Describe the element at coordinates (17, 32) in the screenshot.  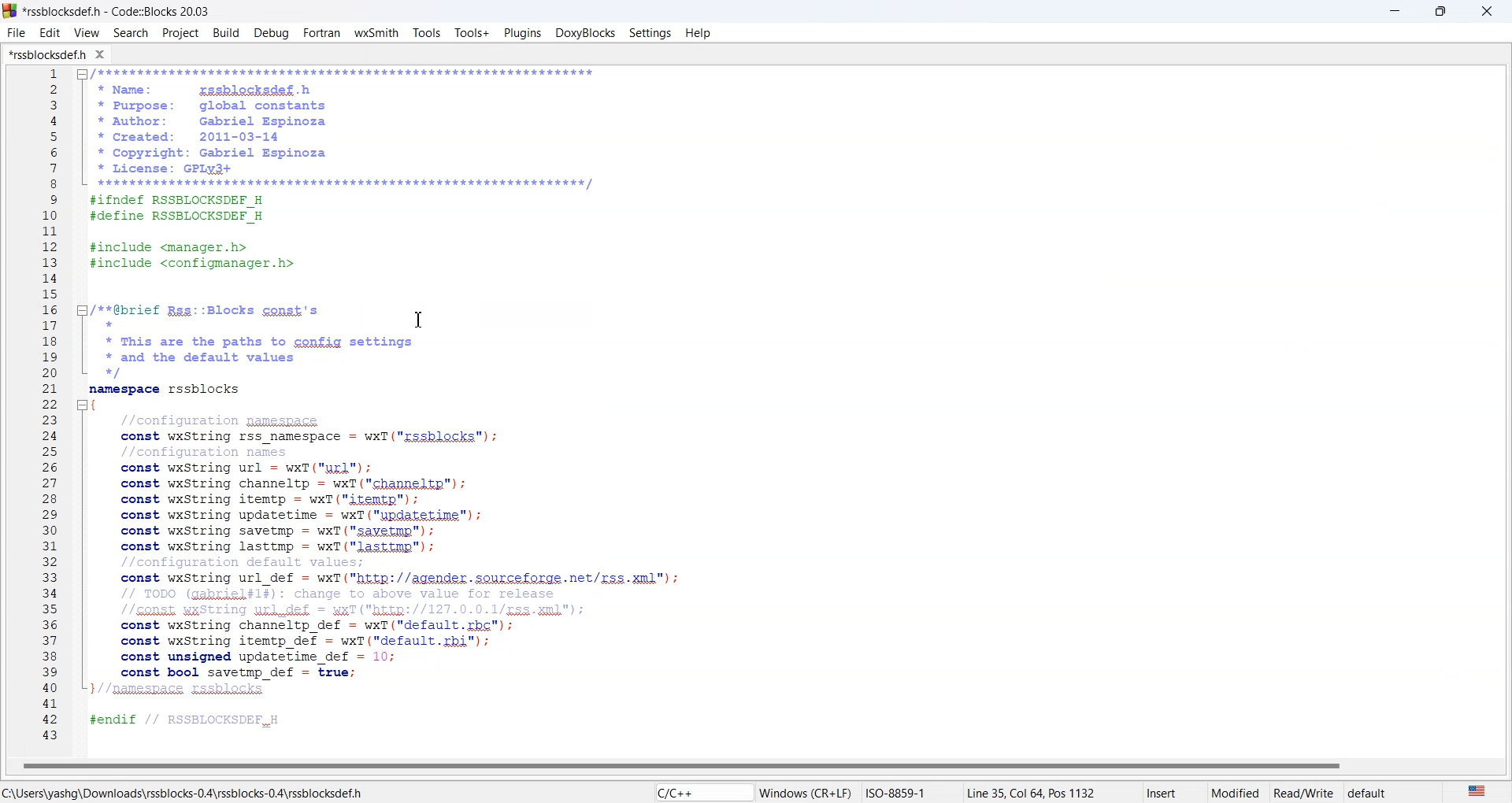
I see `File` at that location.